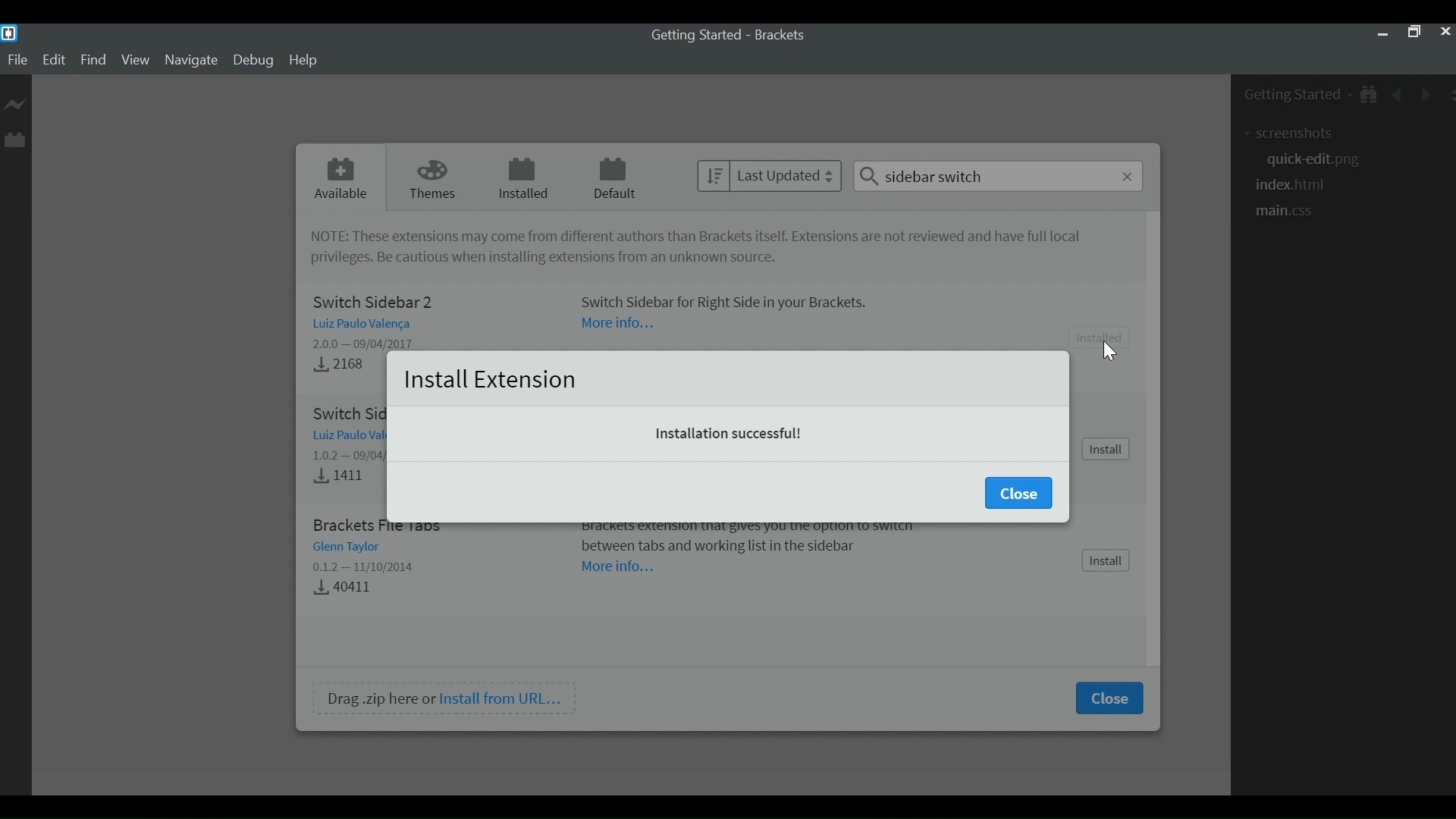 This screenshot has height=819, width=1456. What do you see at coordinates (998, 175) in the screenshot?
I see `Search` at bounding box center [998, 175].